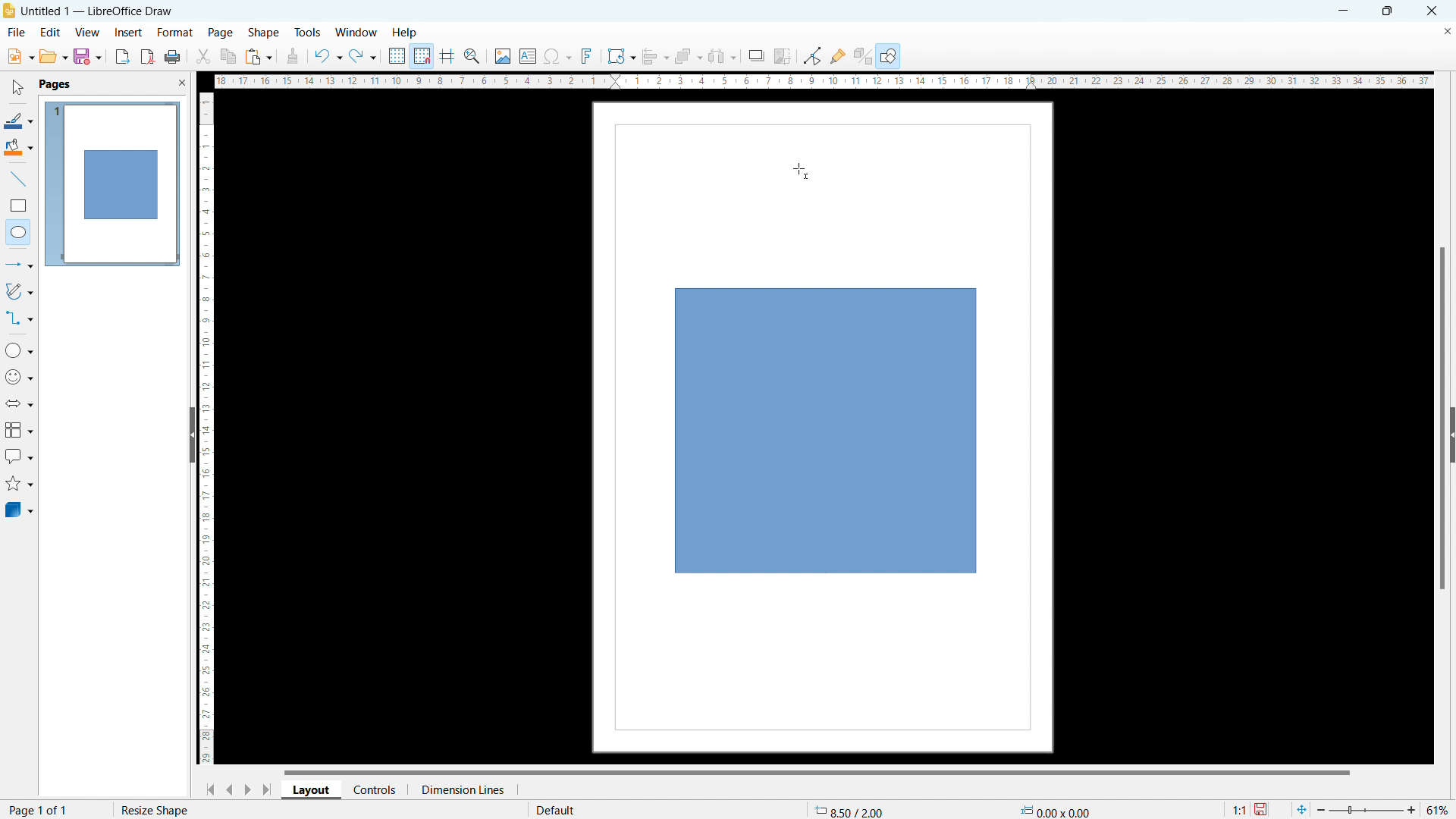  I want to click on layout, so click(312, 790).